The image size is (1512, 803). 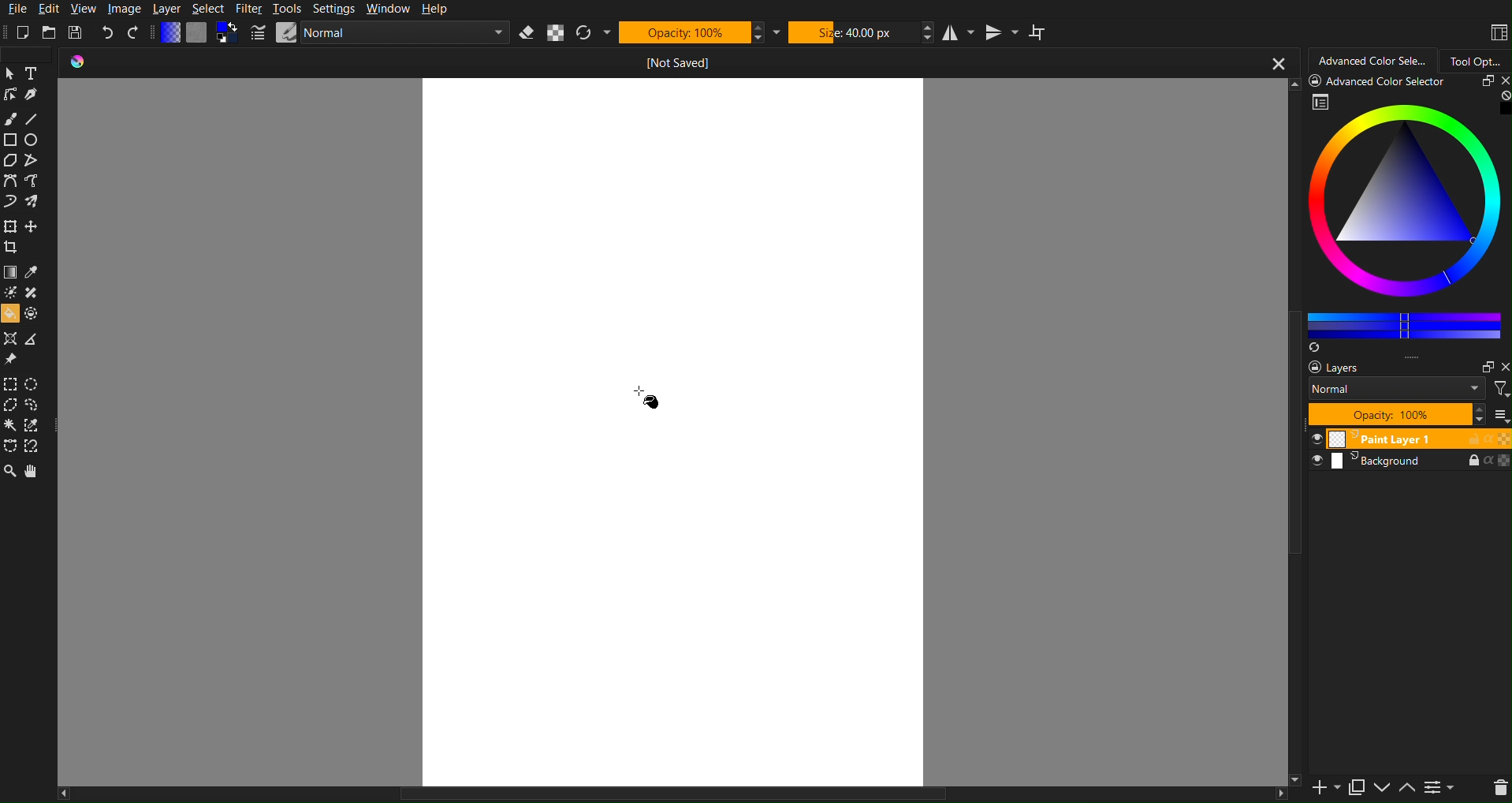 I want to click on Layer, so click(x=167, y=9).